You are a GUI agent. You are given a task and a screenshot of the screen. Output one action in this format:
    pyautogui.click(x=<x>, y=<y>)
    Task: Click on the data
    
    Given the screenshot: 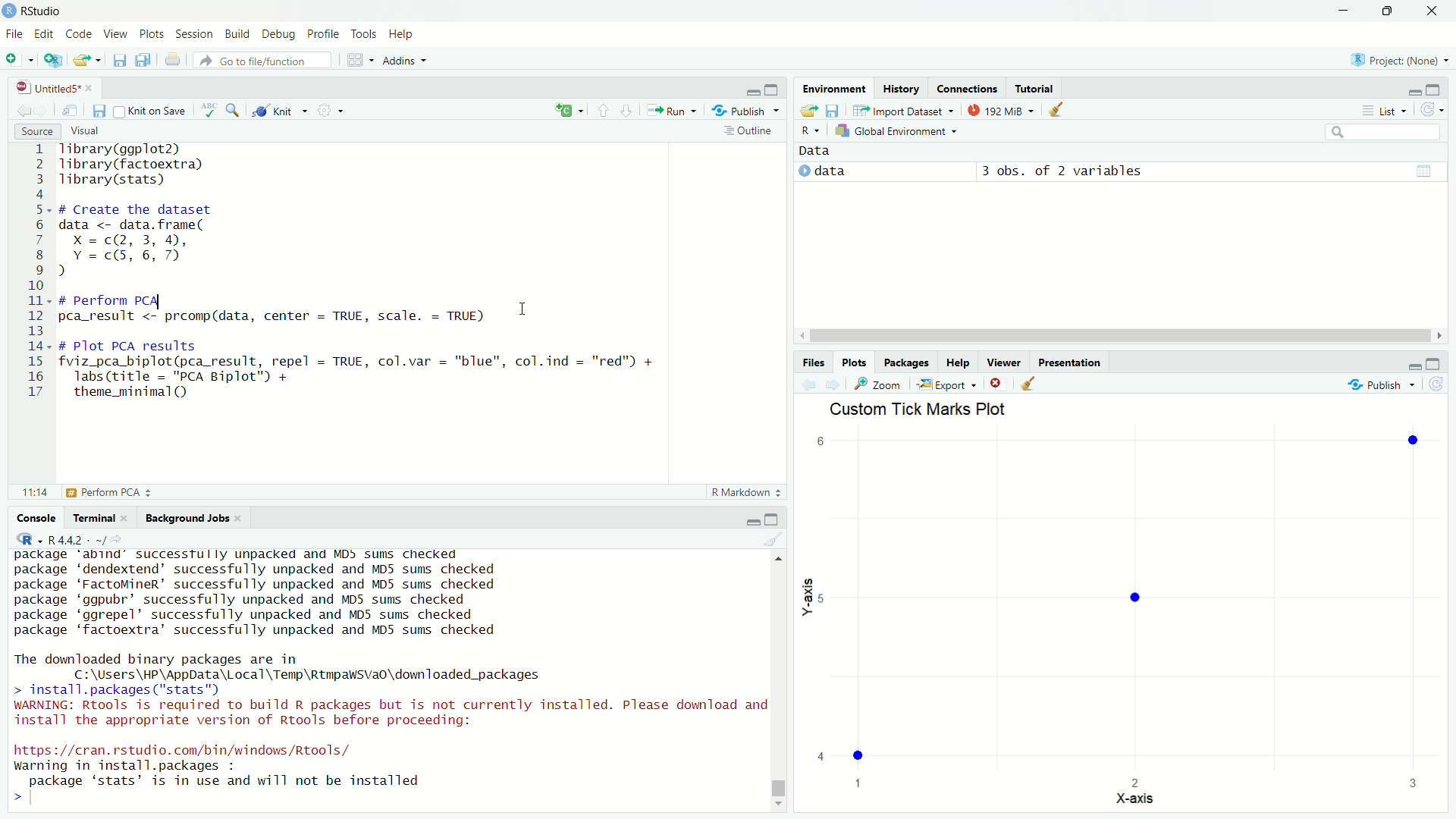 What is the action you would take?
    pyautogui.click(x=827, y=172)
    